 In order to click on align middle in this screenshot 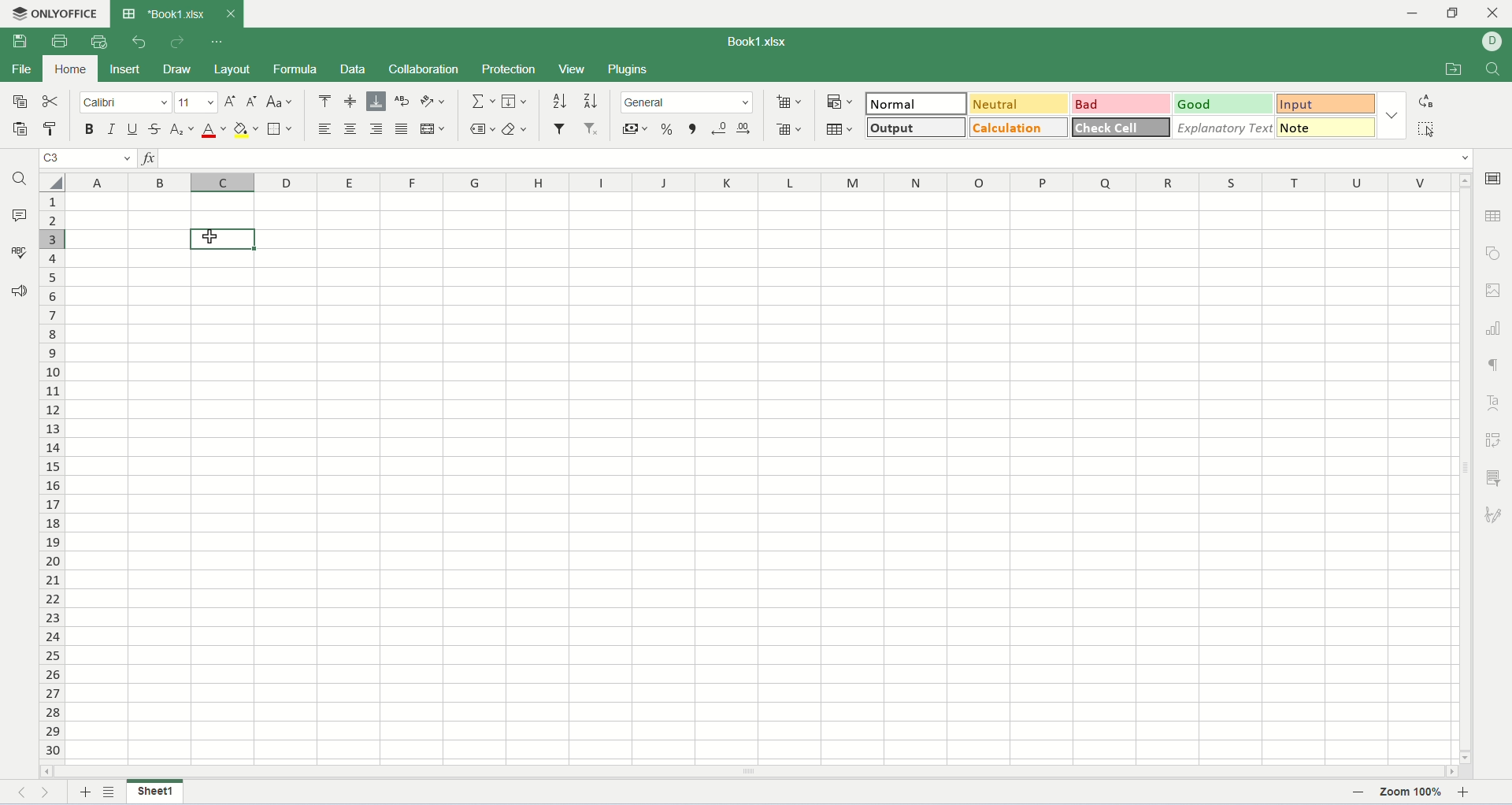, I will do `click(353, 100)`.